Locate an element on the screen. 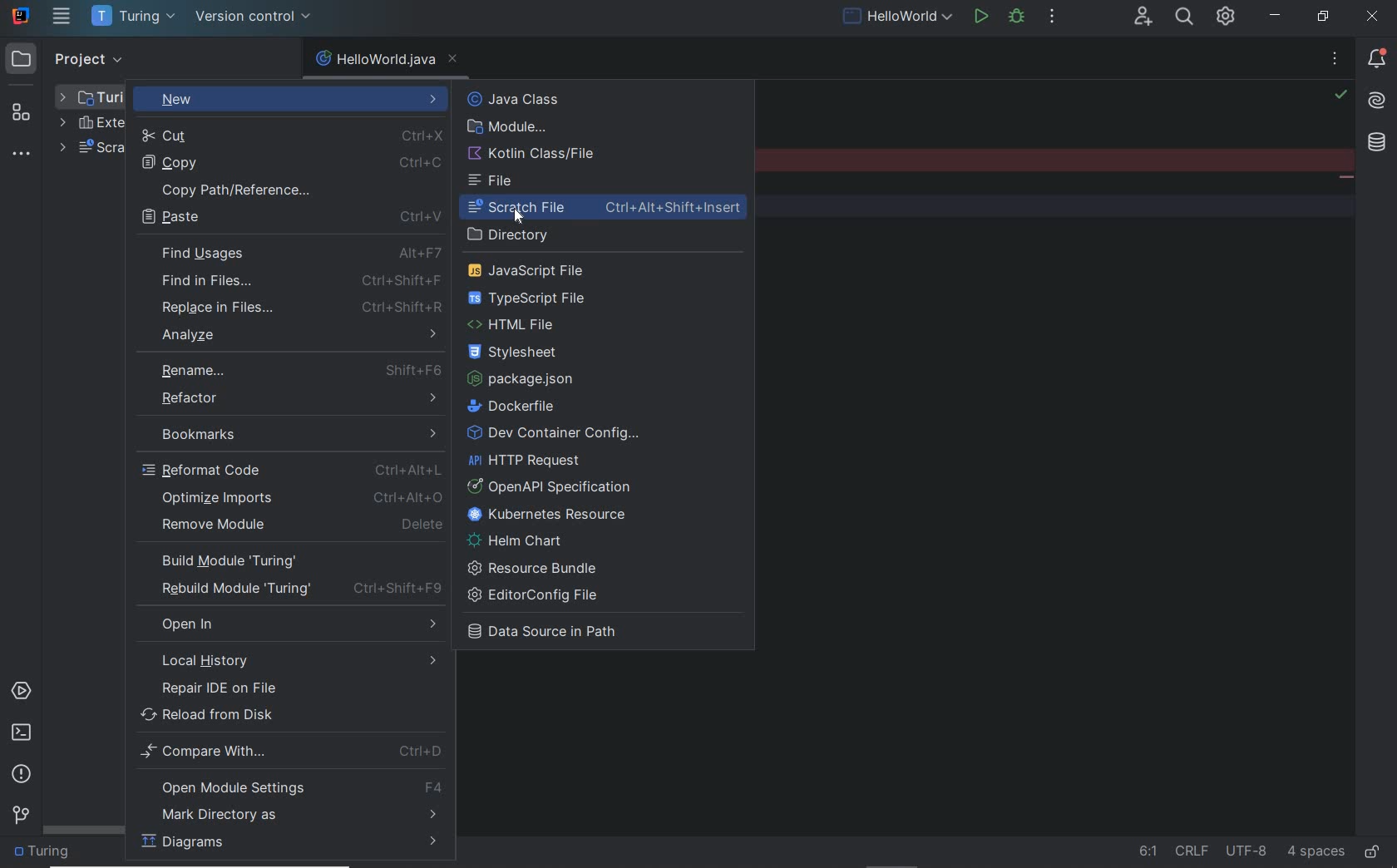  kotlin class/file is located at coordinates (535, 154).